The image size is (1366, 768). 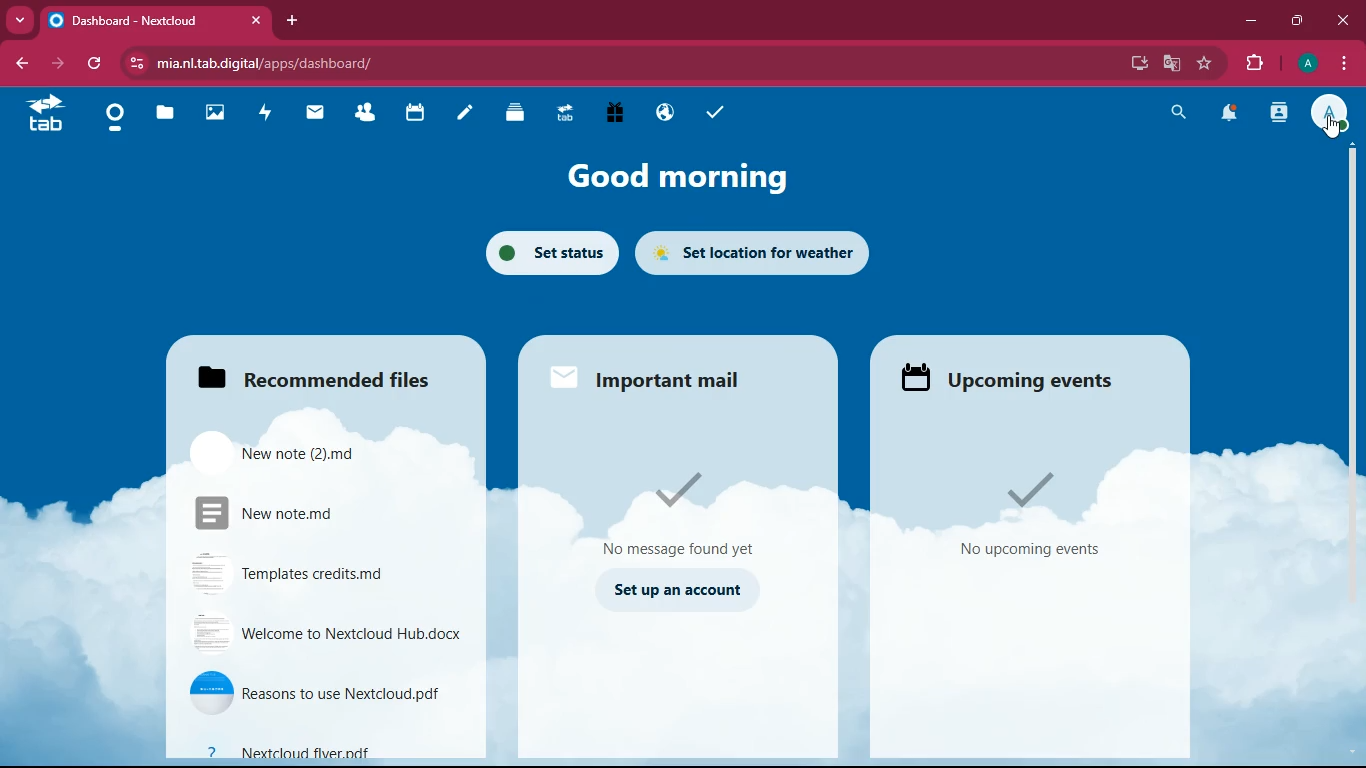 I want to click on search, so click(x=1181, y=112).